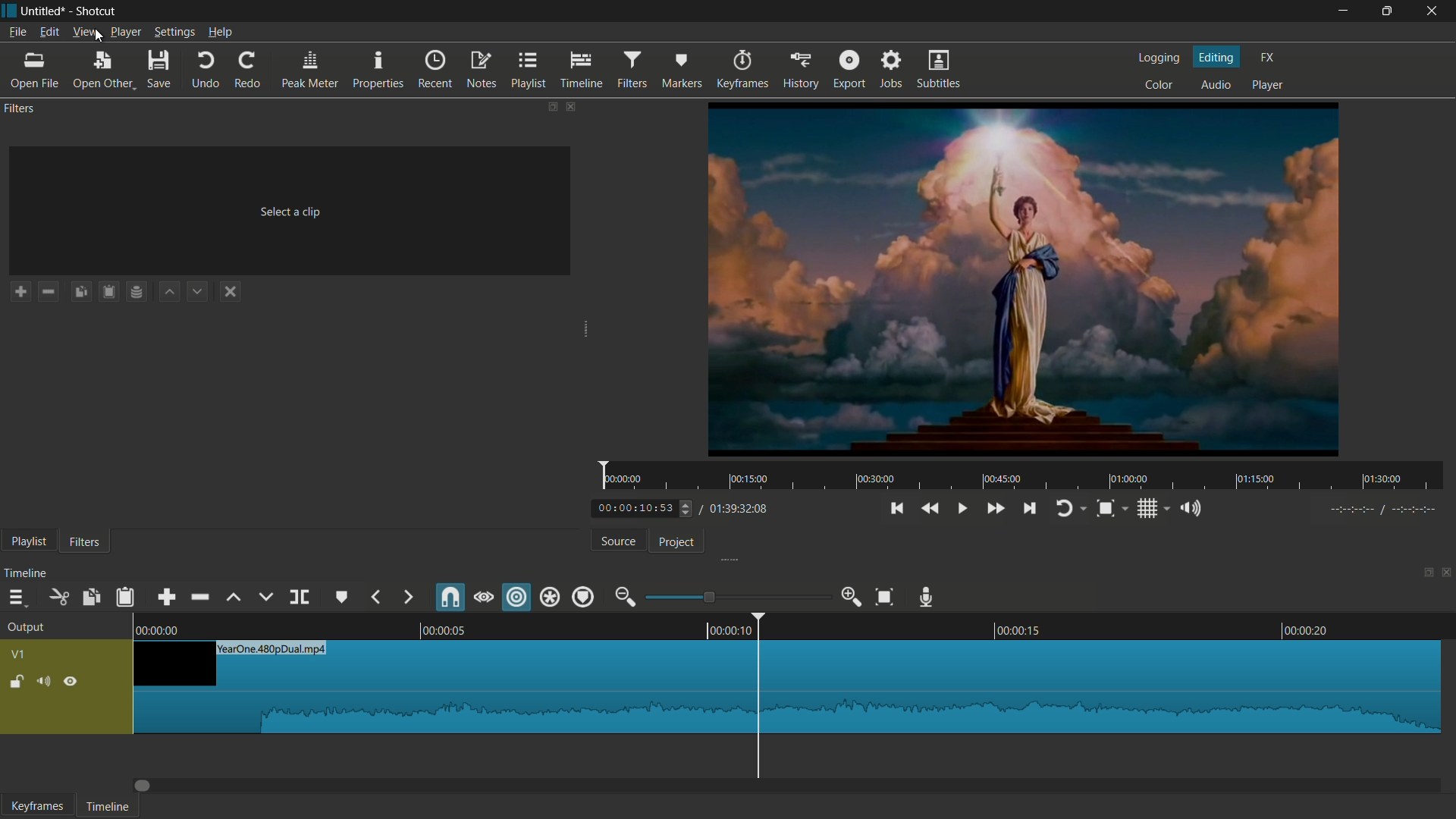  What do you see at coordinates (206, 71) in the screenshot?
I see `undo` at bounding box center [206, 71].